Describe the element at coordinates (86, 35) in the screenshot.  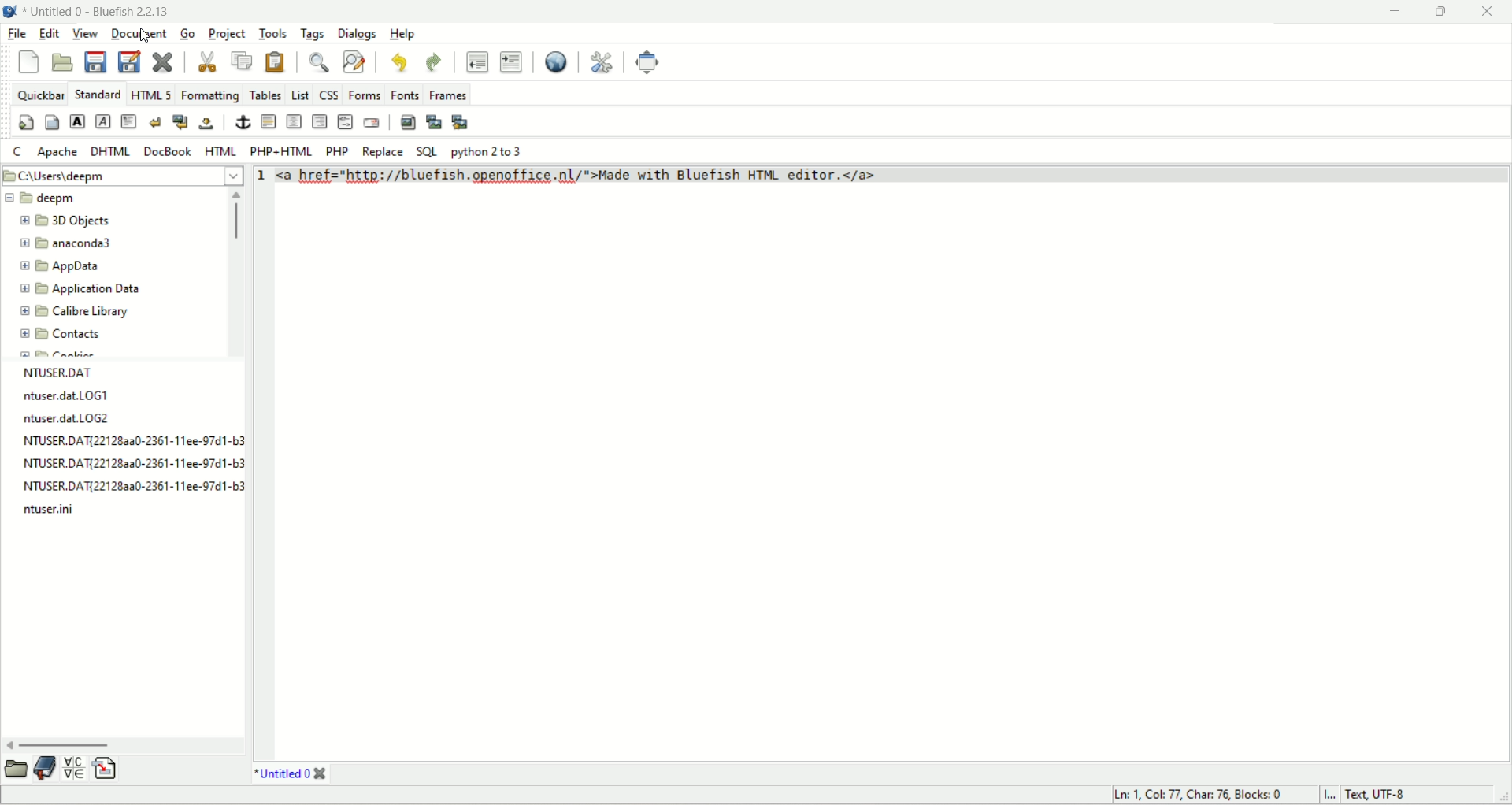
I see `view` at that location.